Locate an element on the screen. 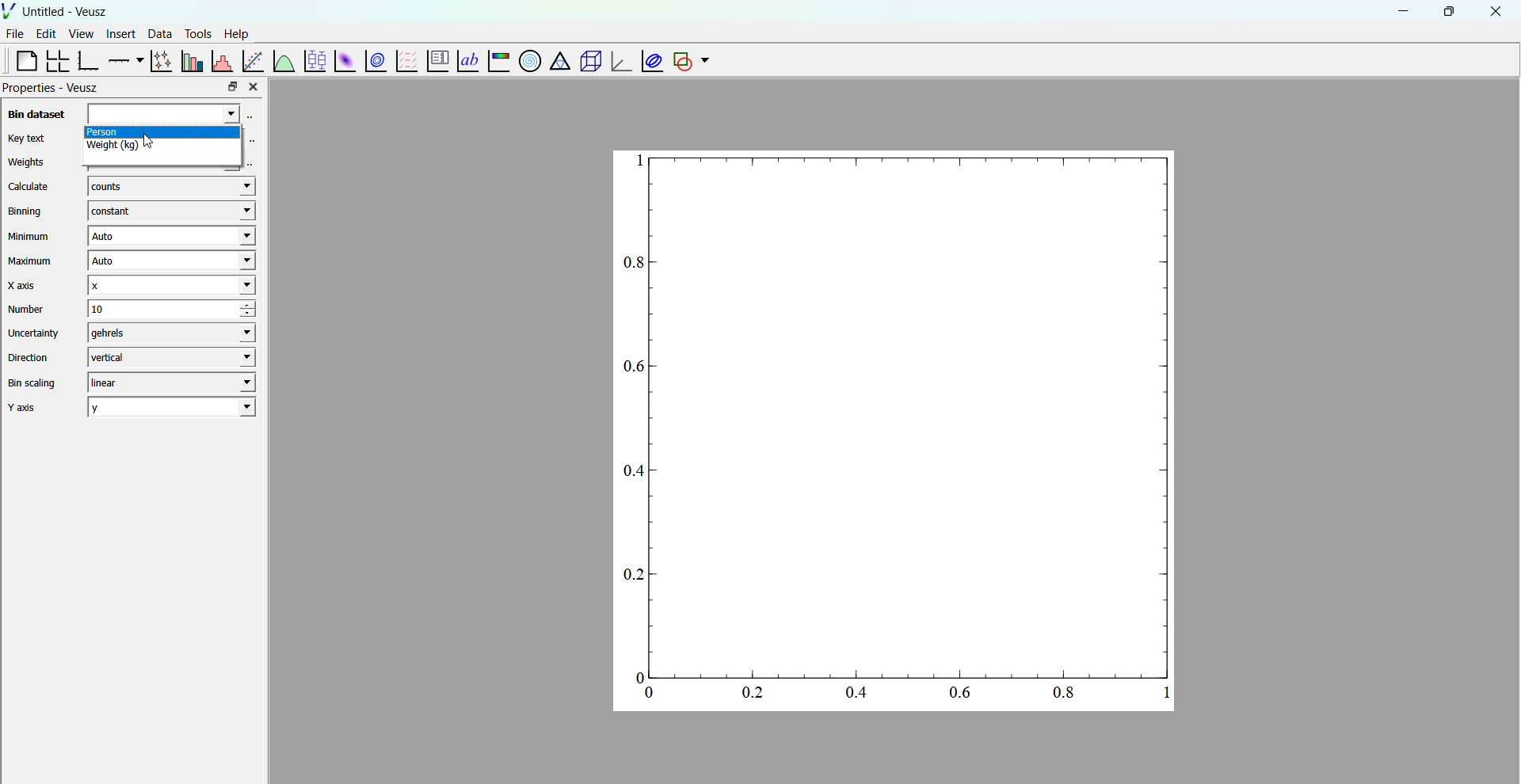  dropdown is located at coordinates (705, 61).